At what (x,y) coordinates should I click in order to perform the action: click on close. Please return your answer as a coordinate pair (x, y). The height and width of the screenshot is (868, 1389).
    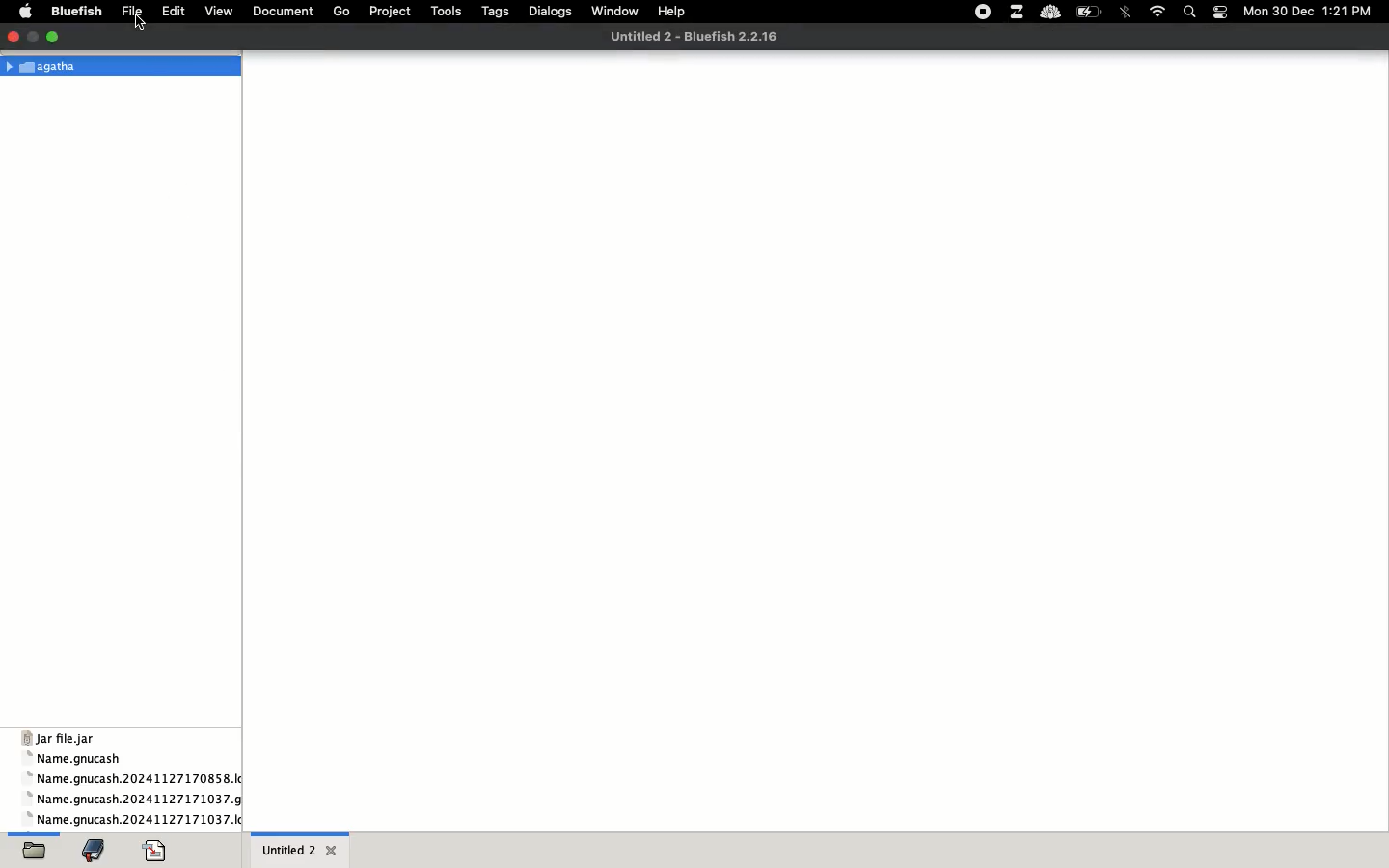
    Looking at the image, I should click on (12, 36).